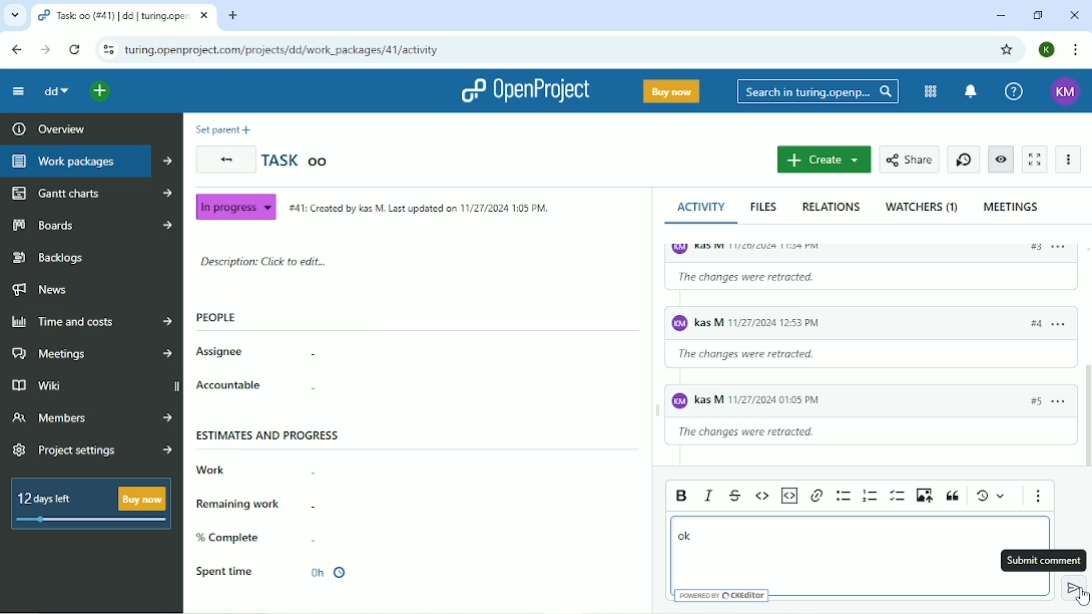 The image size is (1092, 614). What do you see at coordinates (868, 496) in the screenshot?
I see `Numbered list` at bounding box center [868, 496].